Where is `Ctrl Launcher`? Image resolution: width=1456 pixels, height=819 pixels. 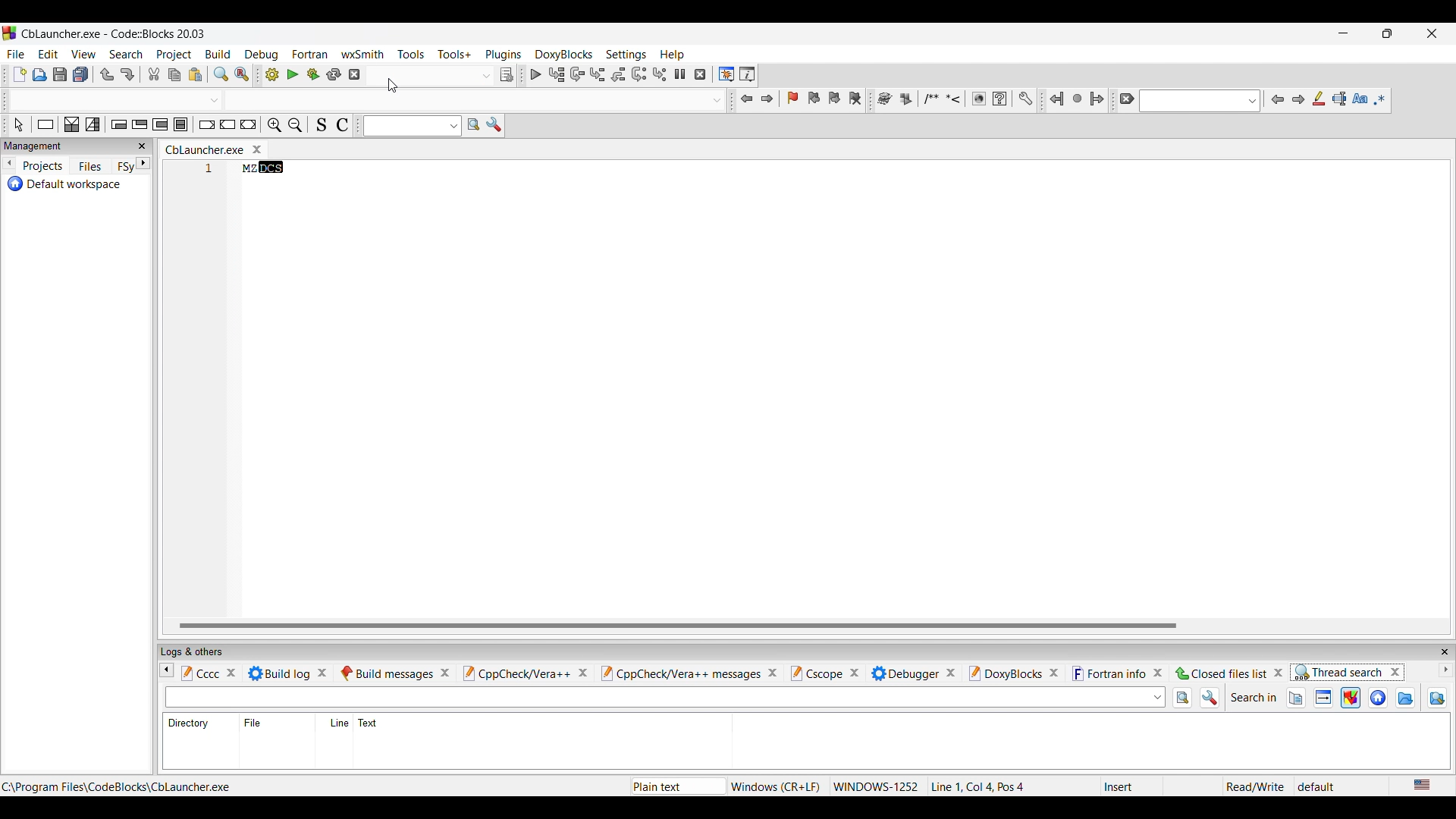
Ctrl Launcher is located at coordinates (215, 149).